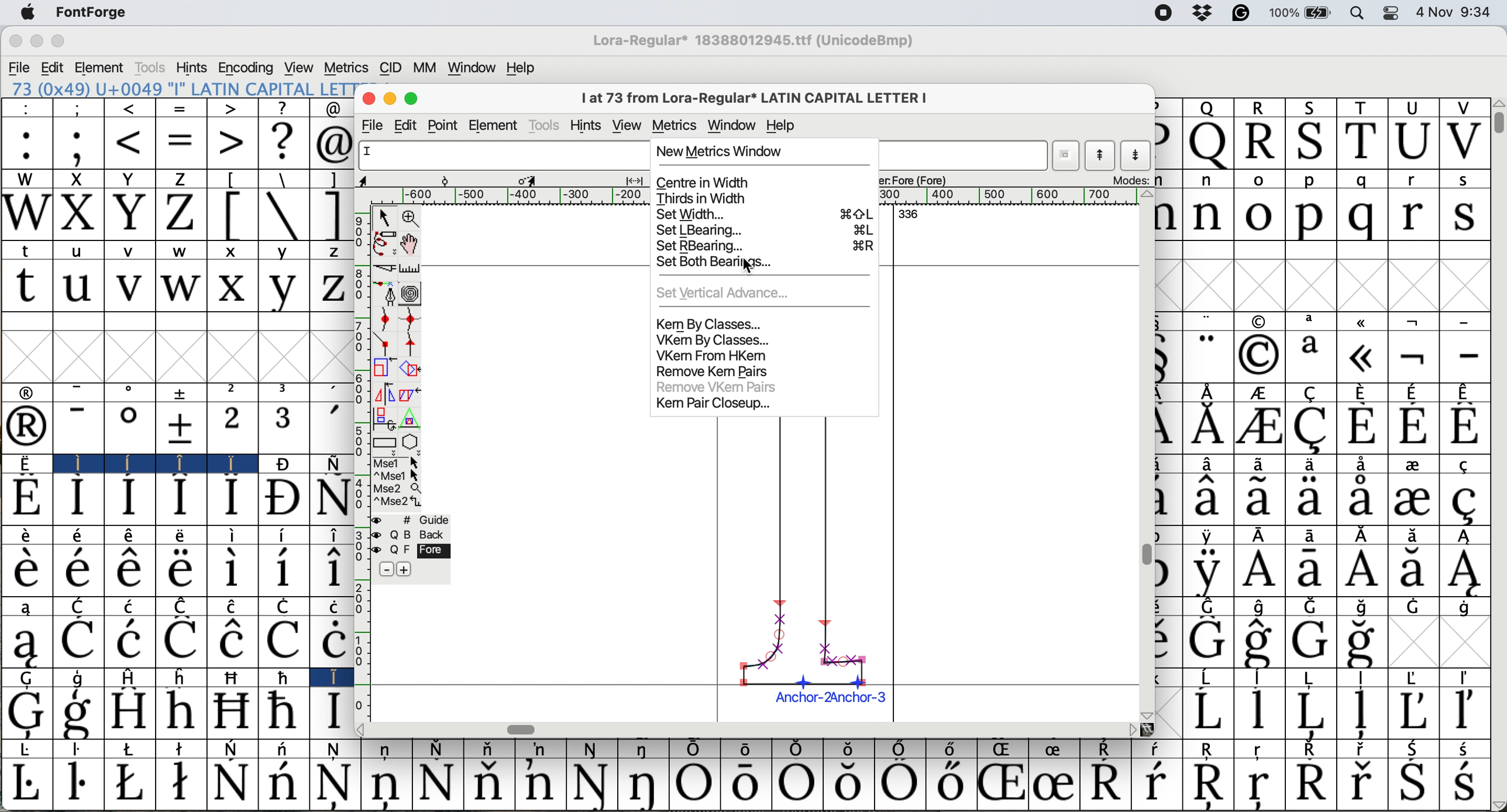 This screenshot has height=812, width=1507. What do you see at coordinates (796, 749) in the screenshot?
I see `Symbol` at bounding box center [796, 749].